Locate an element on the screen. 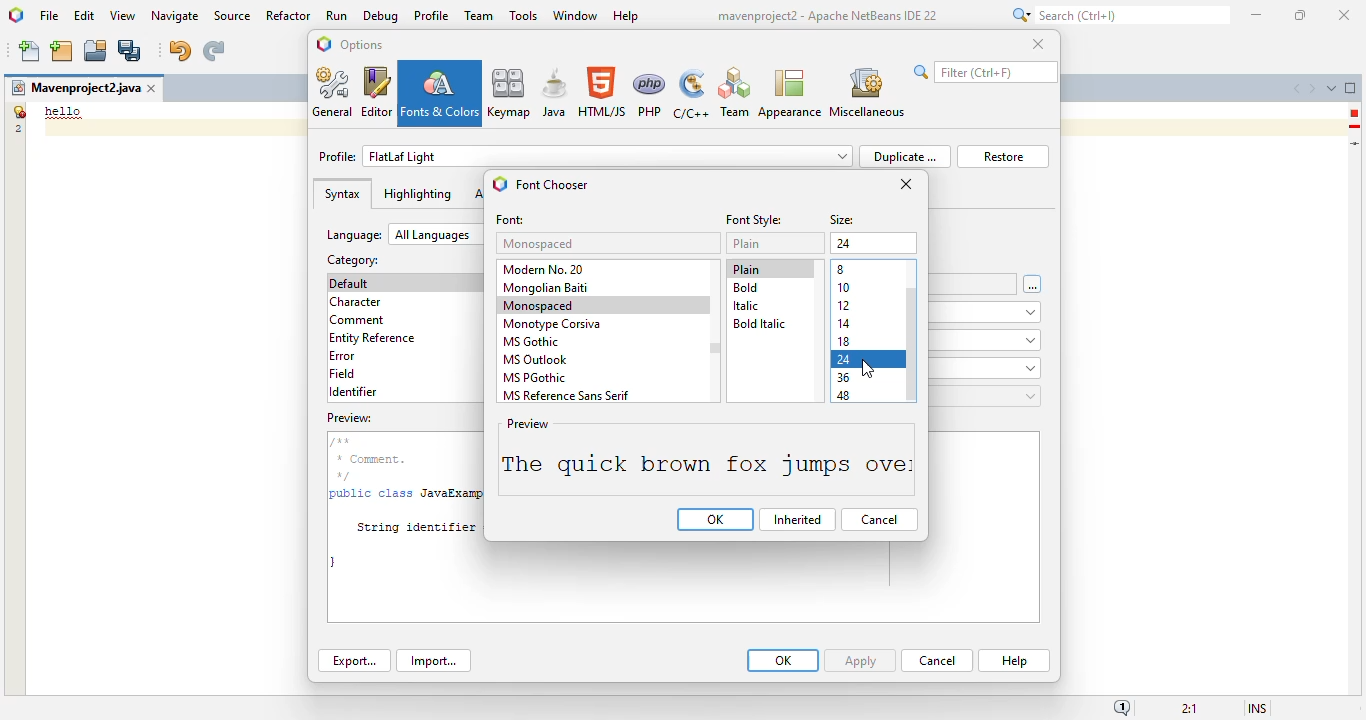 This screenshot has height=720, width=1366. title is located at coordinates (826, 16).